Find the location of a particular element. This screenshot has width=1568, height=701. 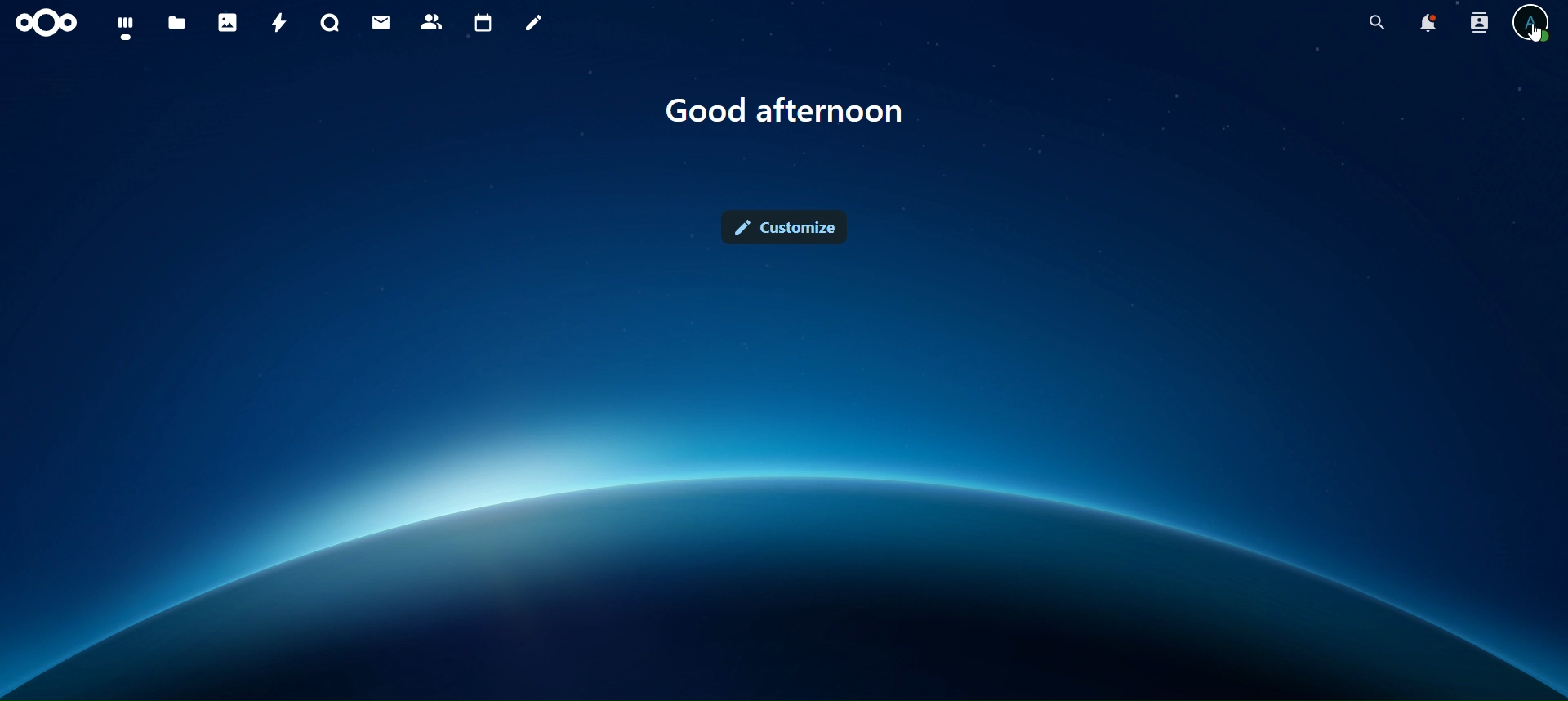

notifications is located at coordinates (1429, 22).